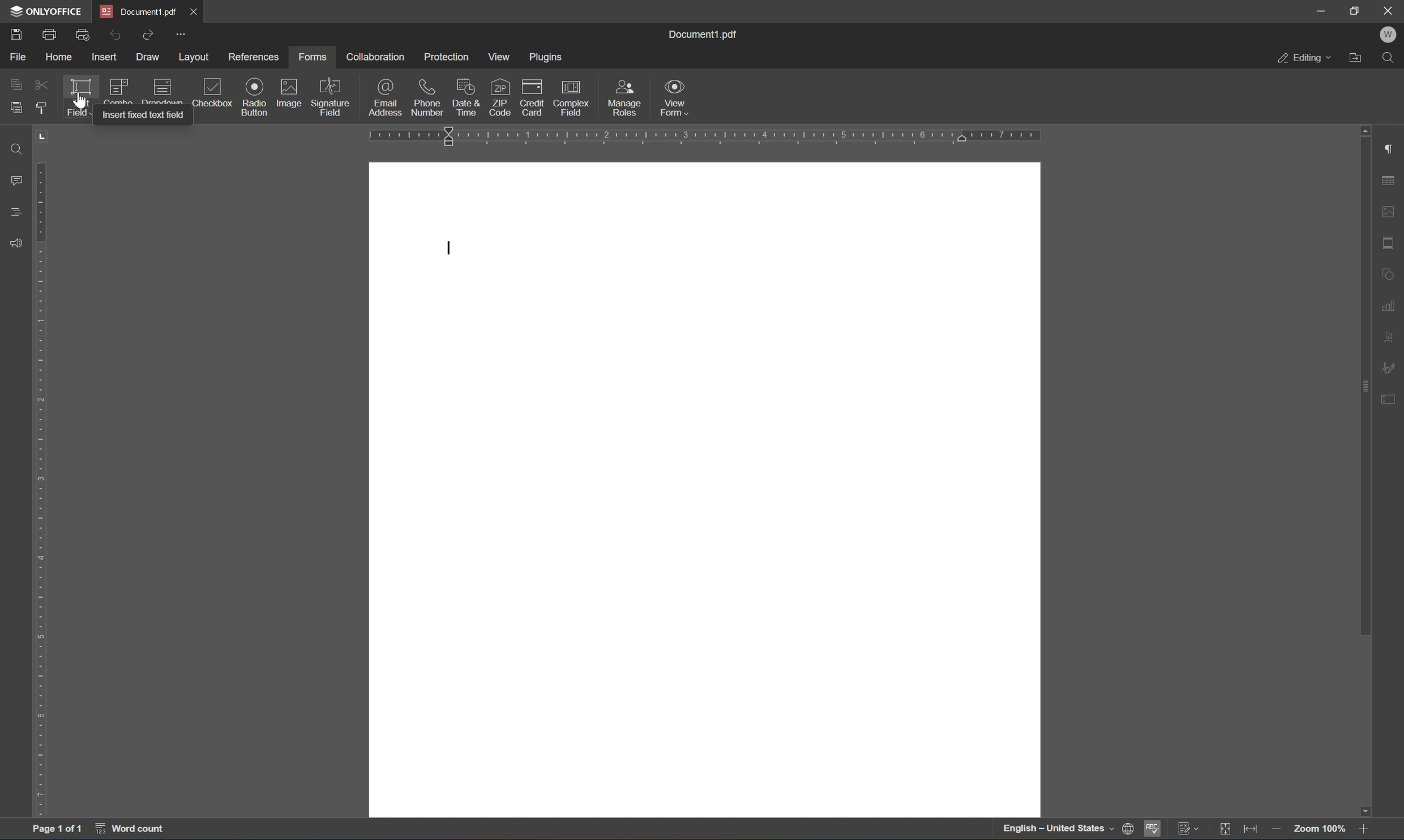 The height and width of the screenshot is (840, 1404). I want to click on document1.pdf, so click(701, 35).